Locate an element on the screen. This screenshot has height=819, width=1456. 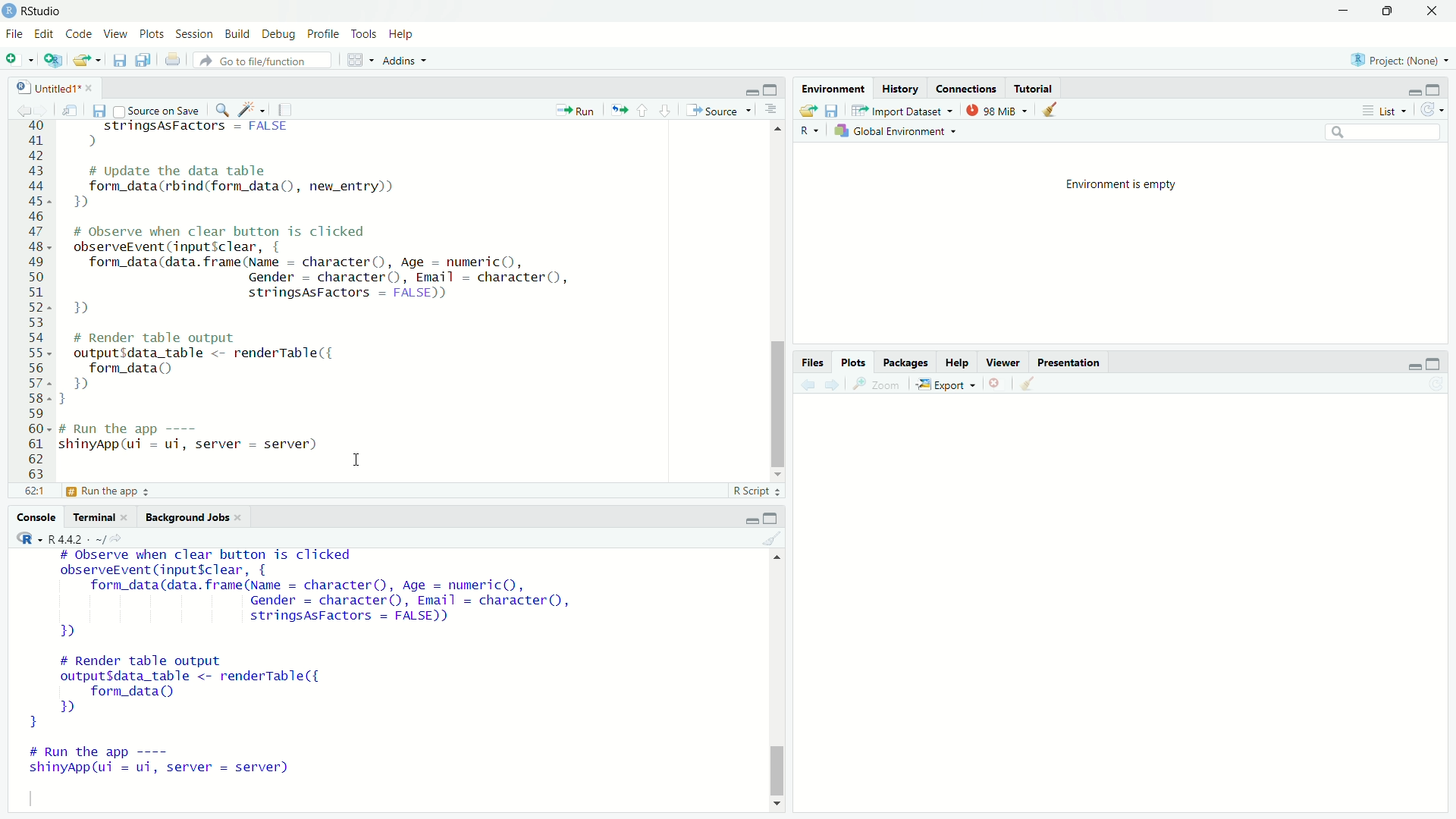
save all open documents is located at coordinates (143, 60).